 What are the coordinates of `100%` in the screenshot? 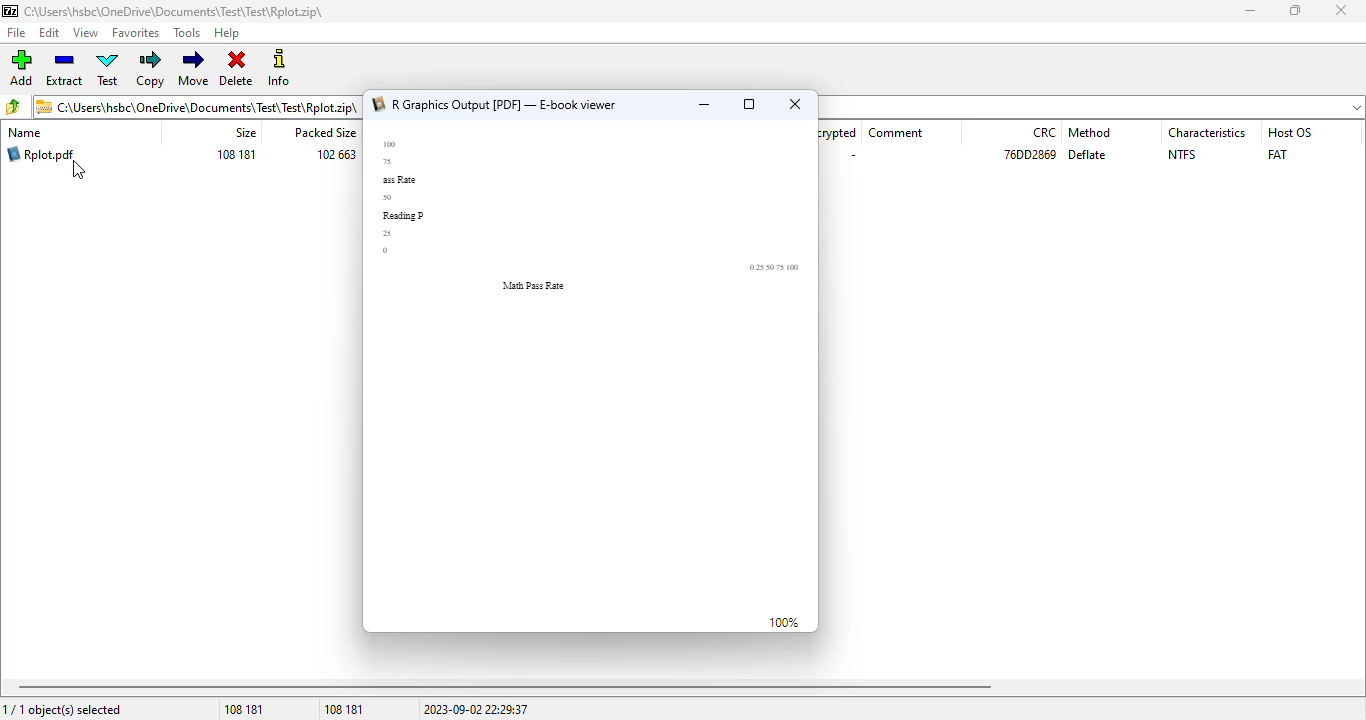 It's located at (784, 624).